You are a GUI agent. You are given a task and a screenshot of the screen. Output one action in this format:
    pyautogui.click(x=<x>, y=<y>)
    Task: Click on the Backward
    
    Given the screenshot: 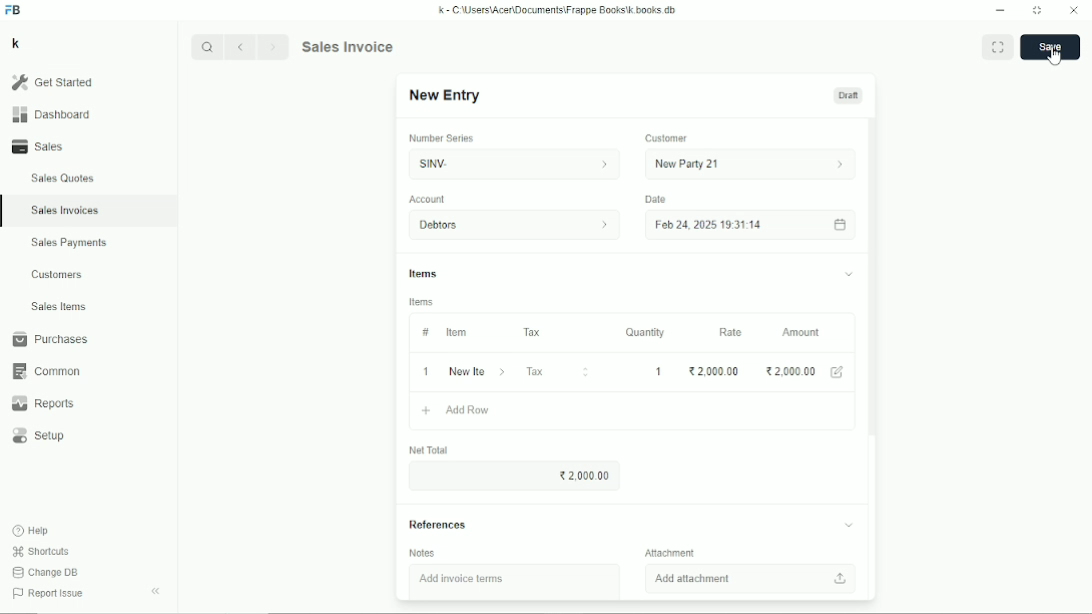 What is the action you would take?
    pyautogui.click(x=244, y=46)
    